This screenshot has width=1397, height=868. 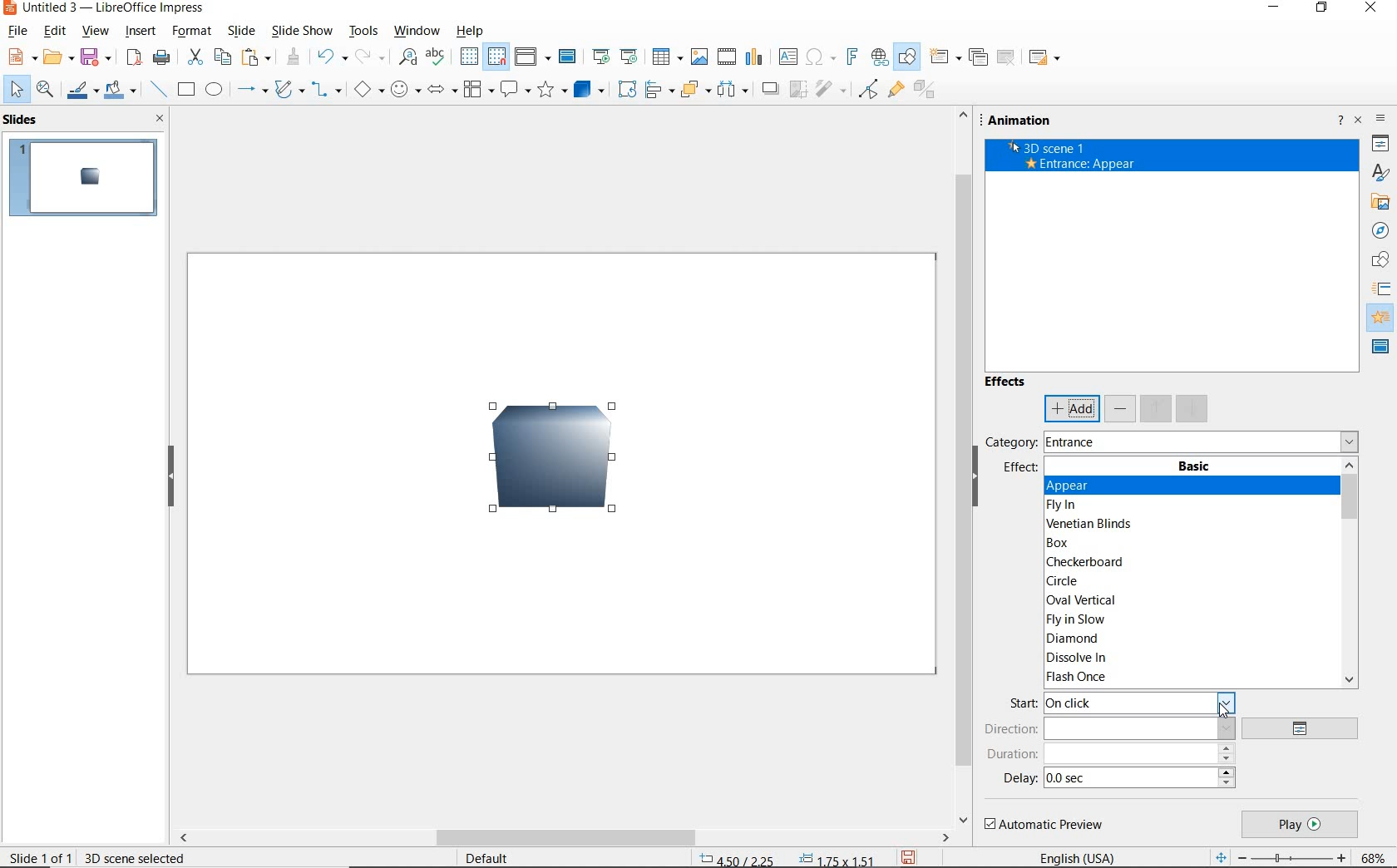 What do you see at coordinates (1323, 11) in the screenshot?
I see `RESTORE DOWN` at bounding box center [1323, 11].